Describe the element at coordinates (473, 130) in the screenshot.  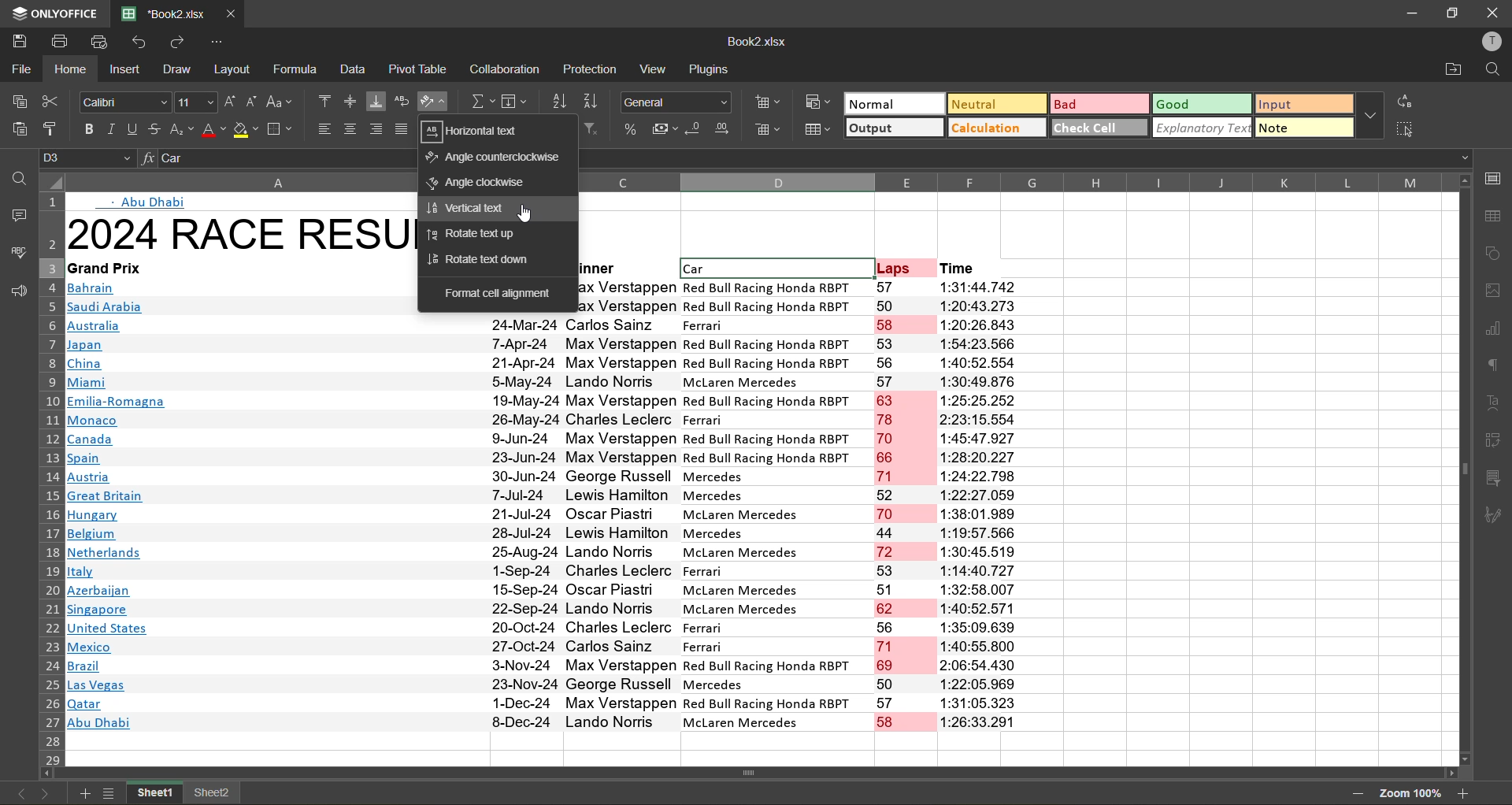
I see `horizontal text` at that location.